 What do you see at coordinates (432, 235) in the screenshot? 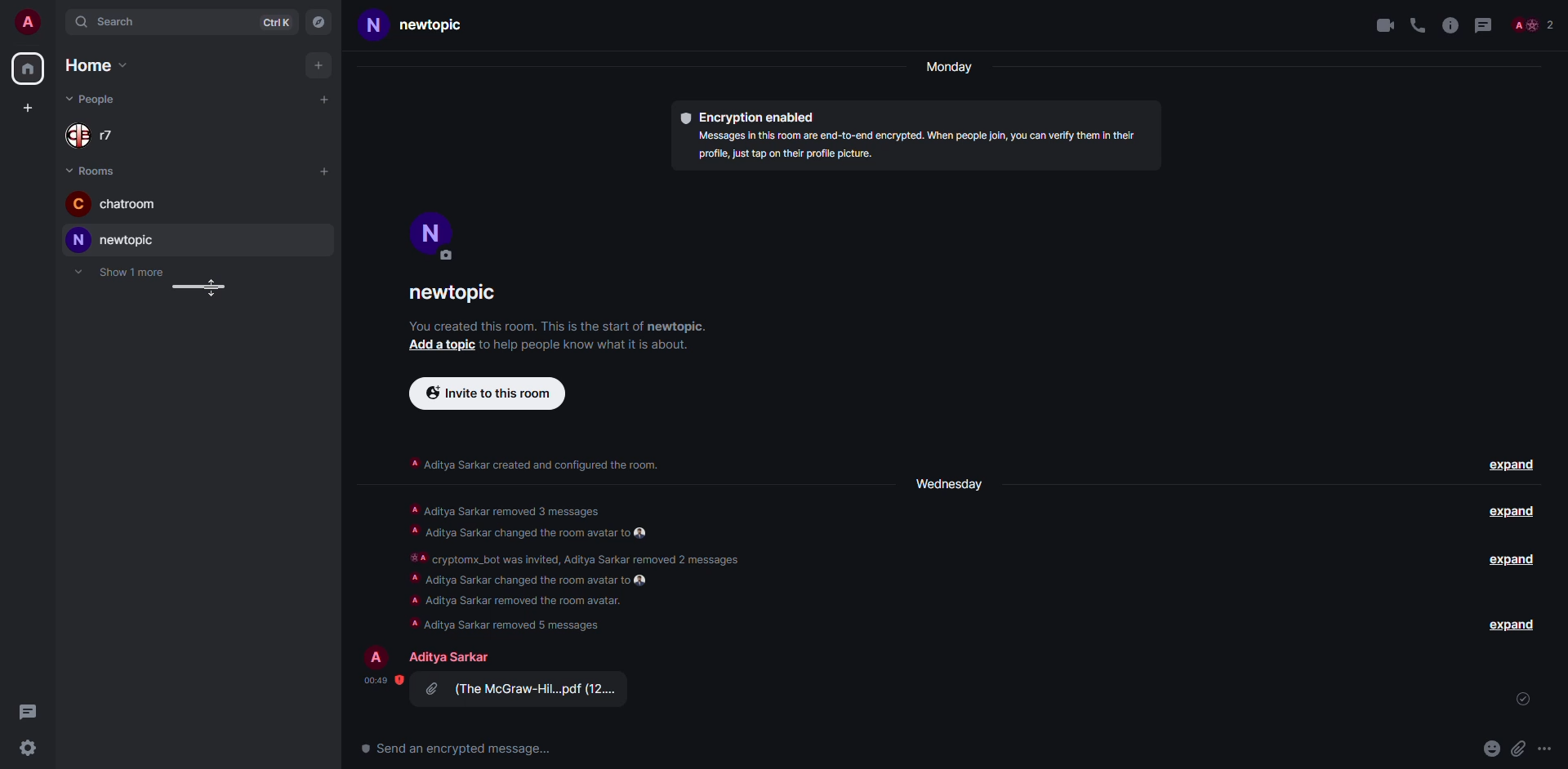
I see `profile` at bounding box center [432, 235].